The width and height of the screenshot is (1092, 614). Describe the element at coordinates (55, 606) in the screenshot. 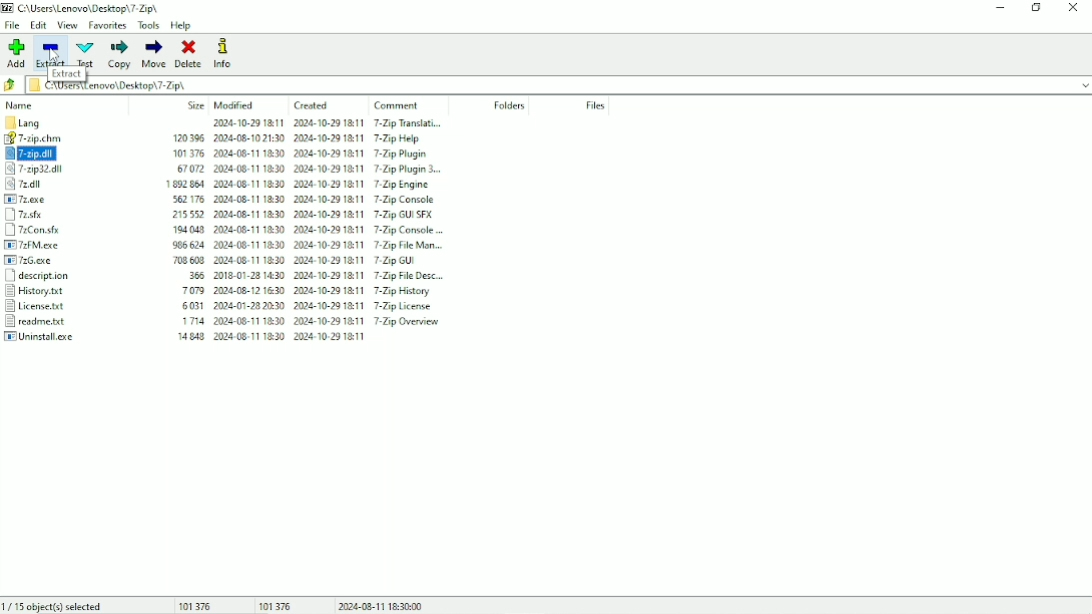

I see `1/15 object(s) selected` at that location.